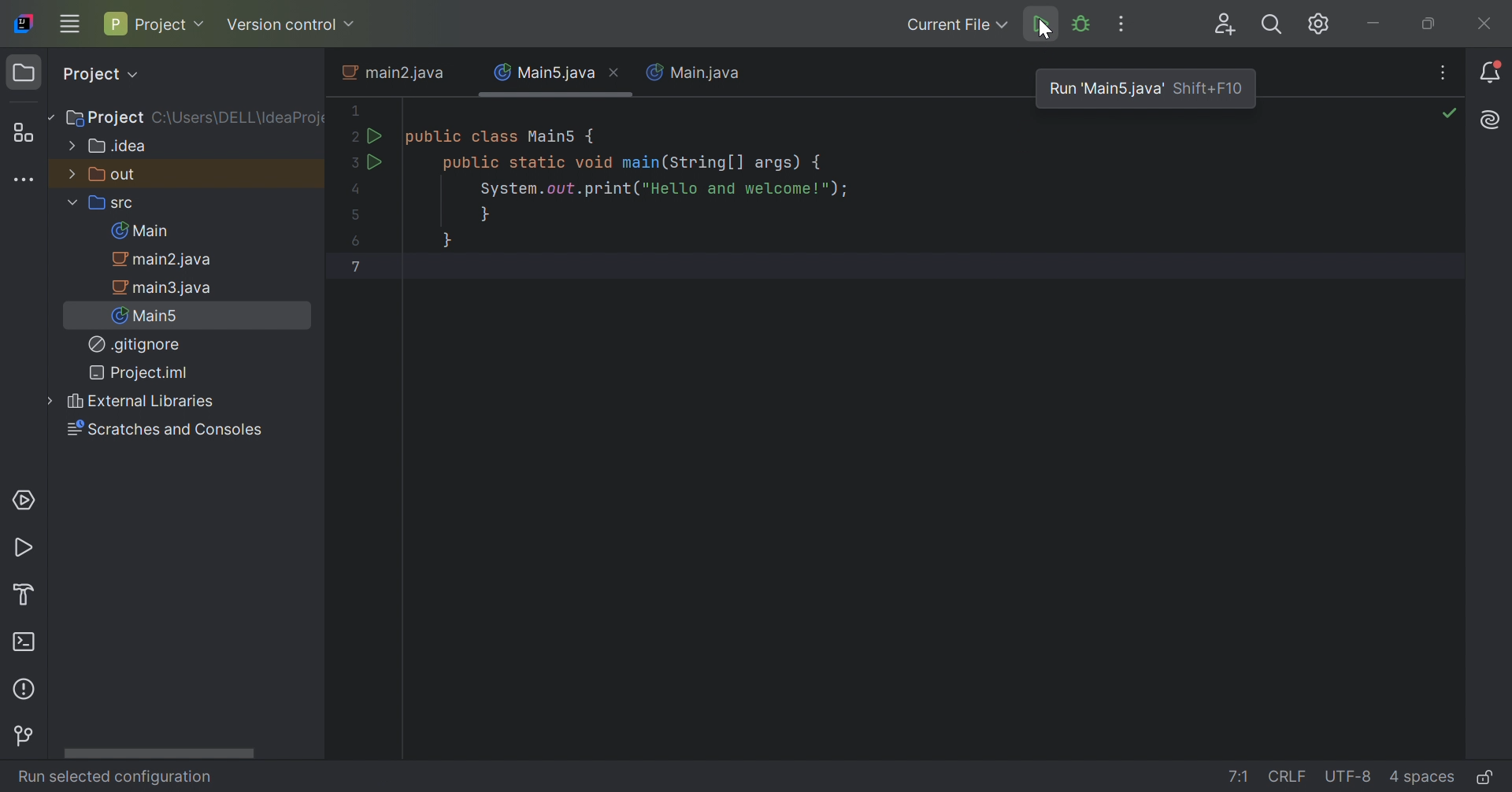  I want to click on out, so click(108, 176).